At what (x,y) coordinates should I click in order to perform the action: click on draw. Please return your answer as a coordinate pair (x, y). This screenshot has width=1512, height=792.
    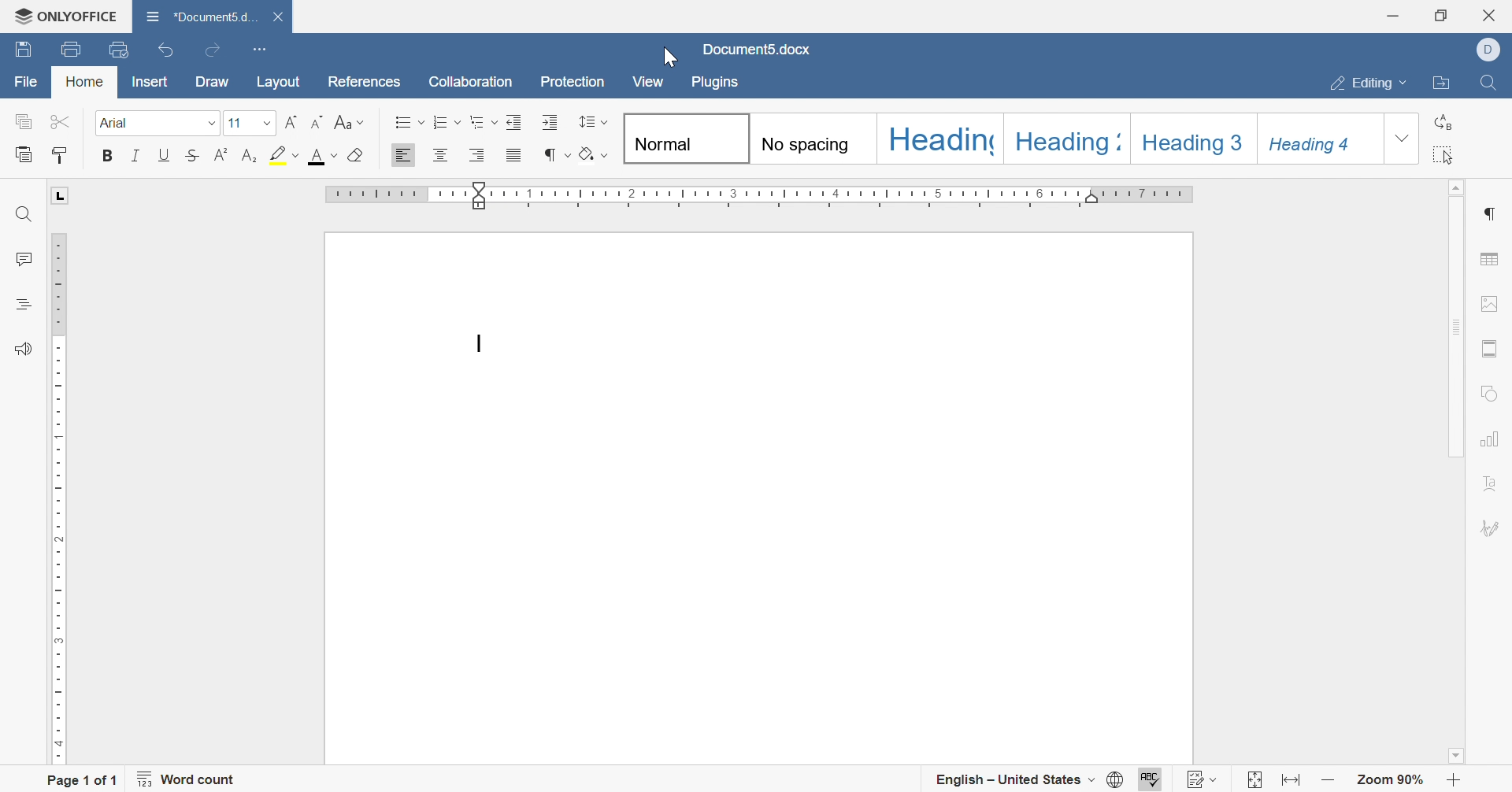
    Looking at the image, I should click on (211, 83).